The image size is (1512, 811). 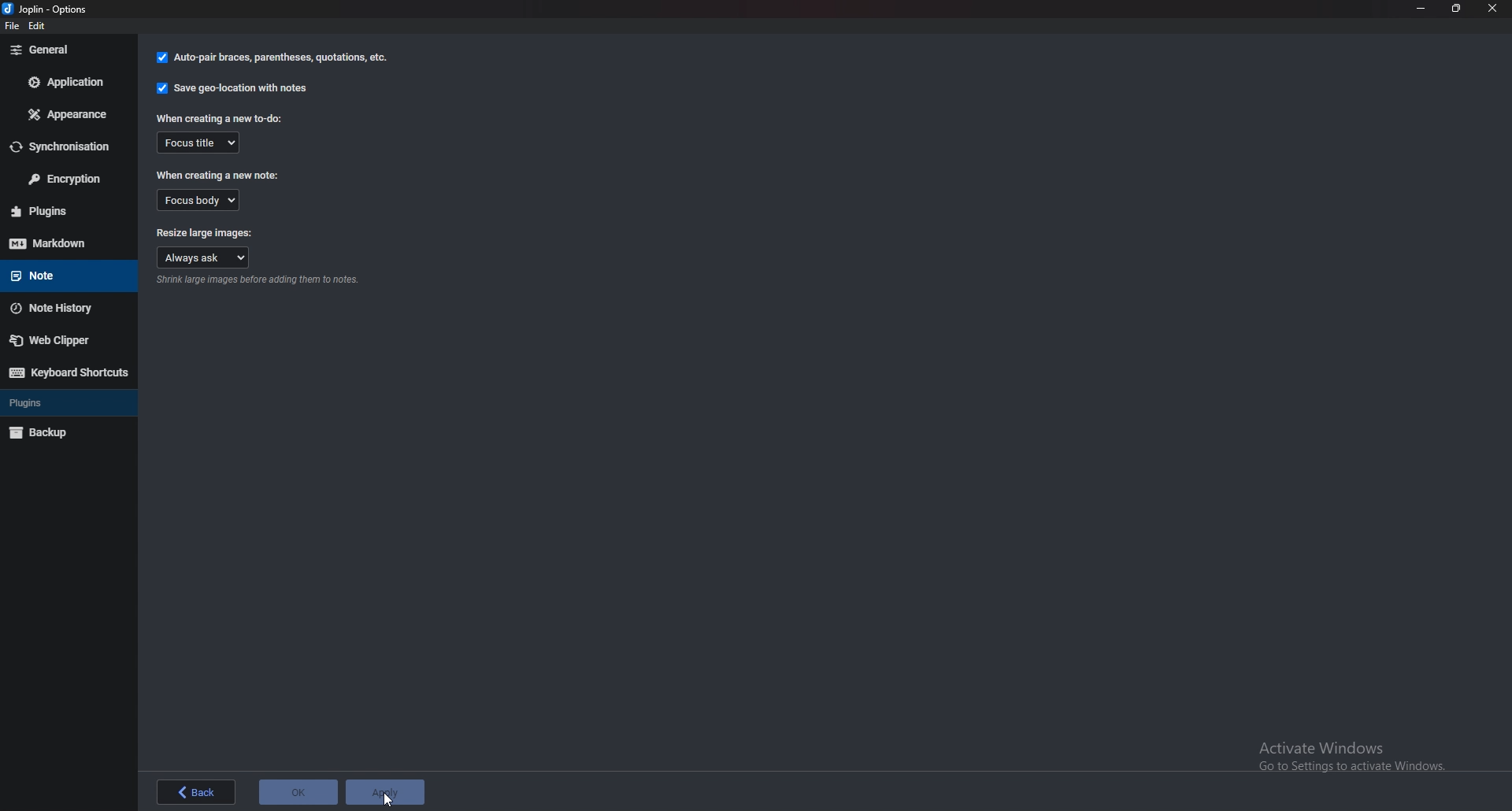 What do you see at coordinates (66, 431) in the screenshot?
I see `Backup` at bounding box center [66, 431].